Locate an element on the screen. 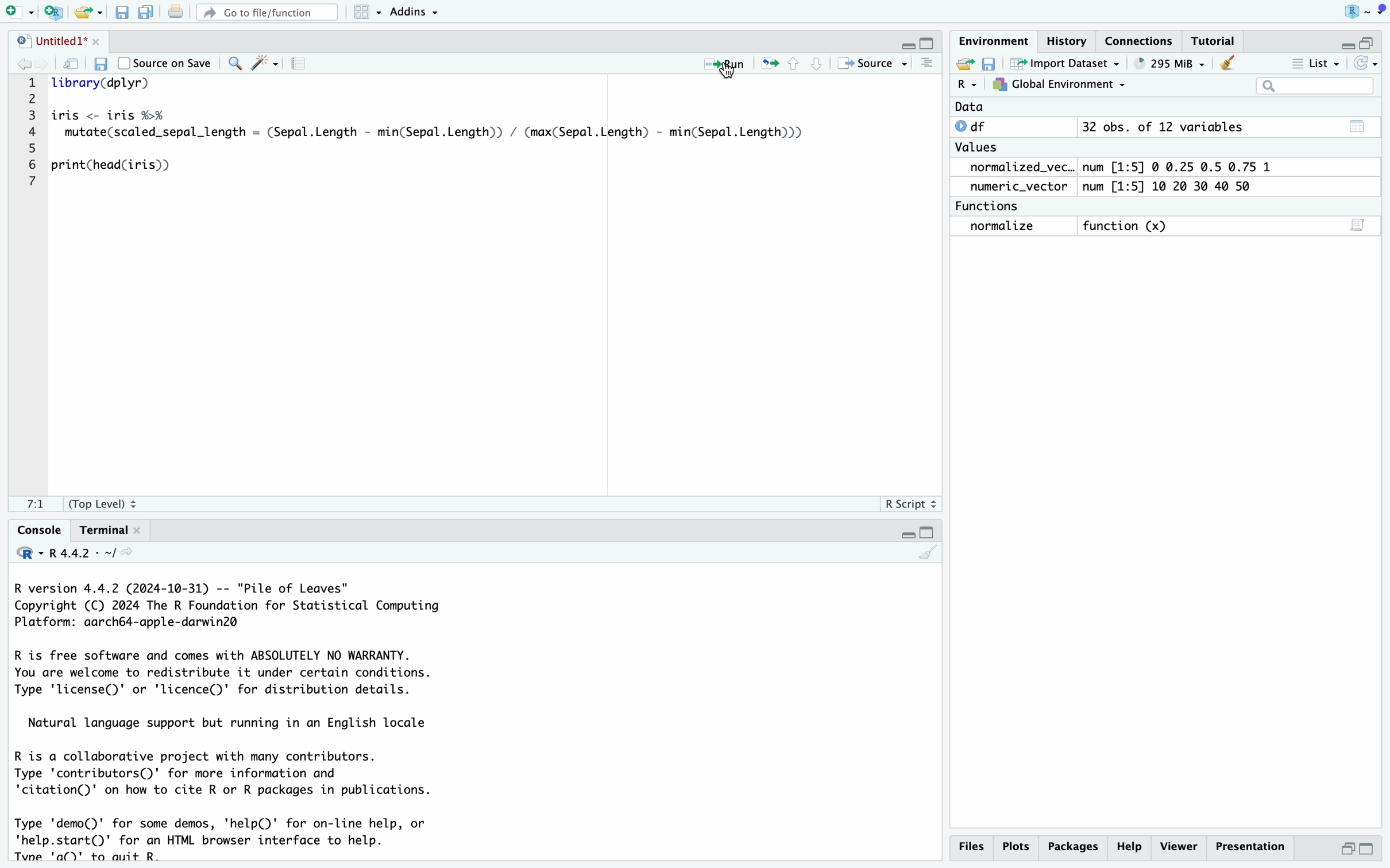 The width and height of the screenshot is (1390, 868). Code is located at coordinates (236, 720).